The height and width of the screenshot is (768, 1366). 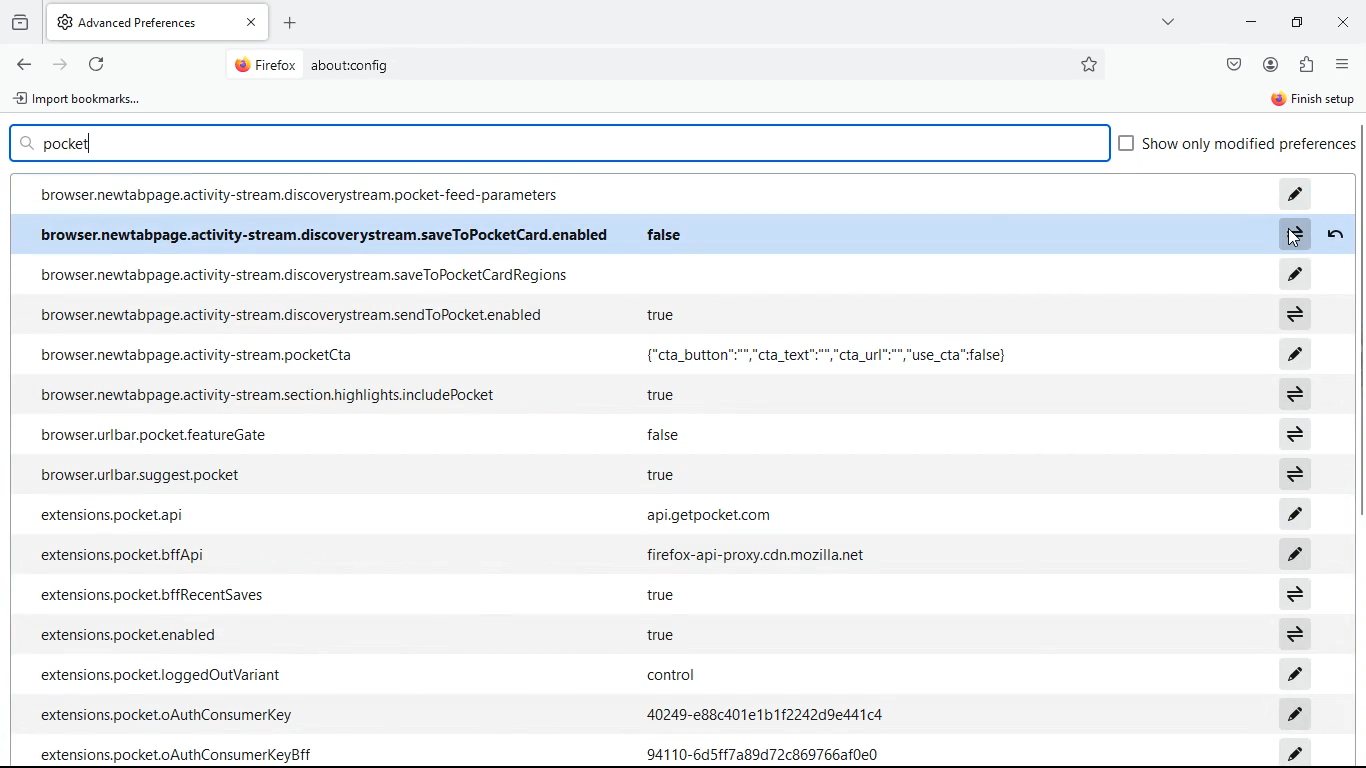 What do you see at coordinates (660, 436) in the screenshot?
I see `false` at bounding box center [660, 436].